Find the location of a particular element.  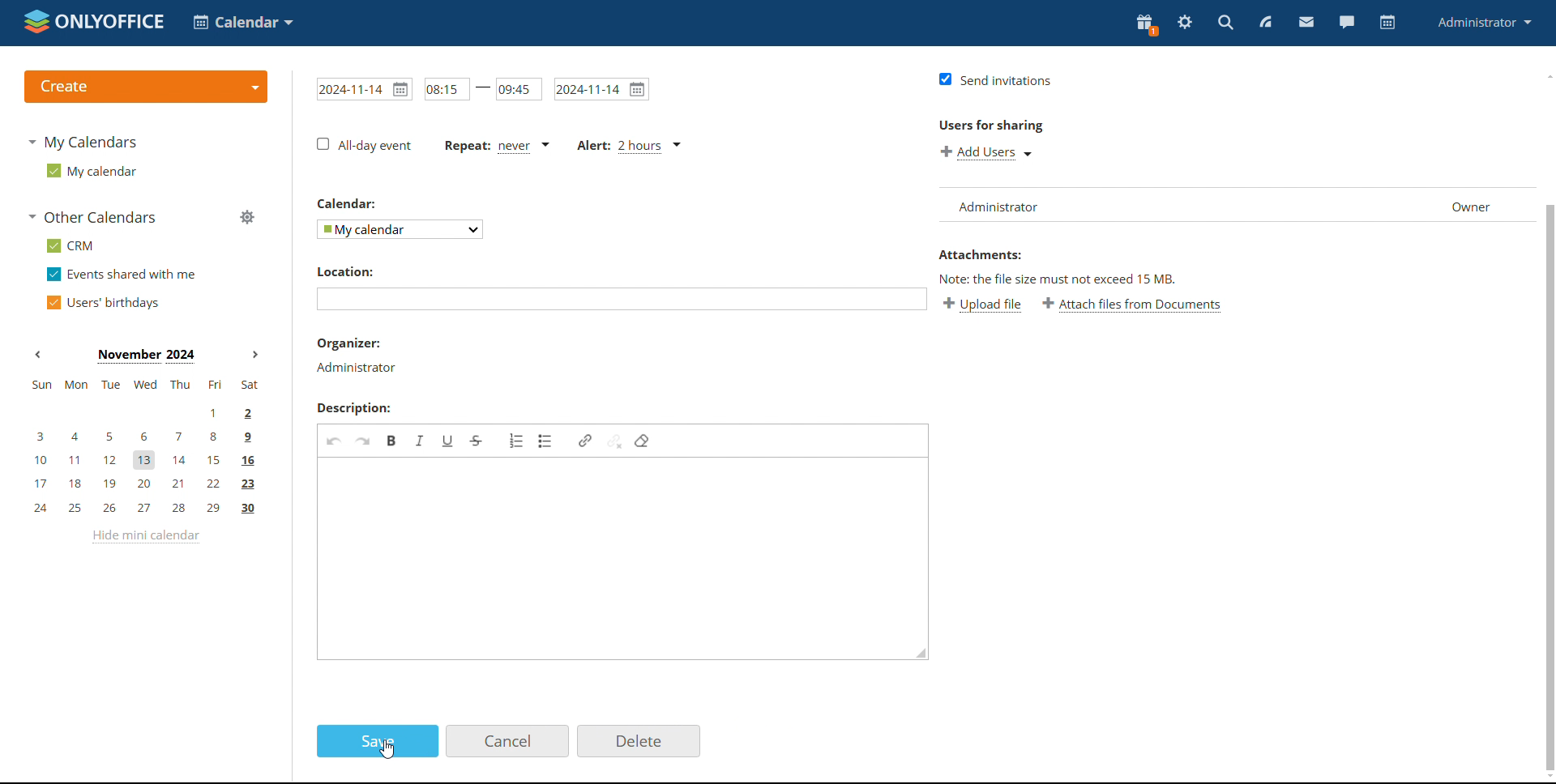

all day event checkbox is located at coordinates (364, 146).